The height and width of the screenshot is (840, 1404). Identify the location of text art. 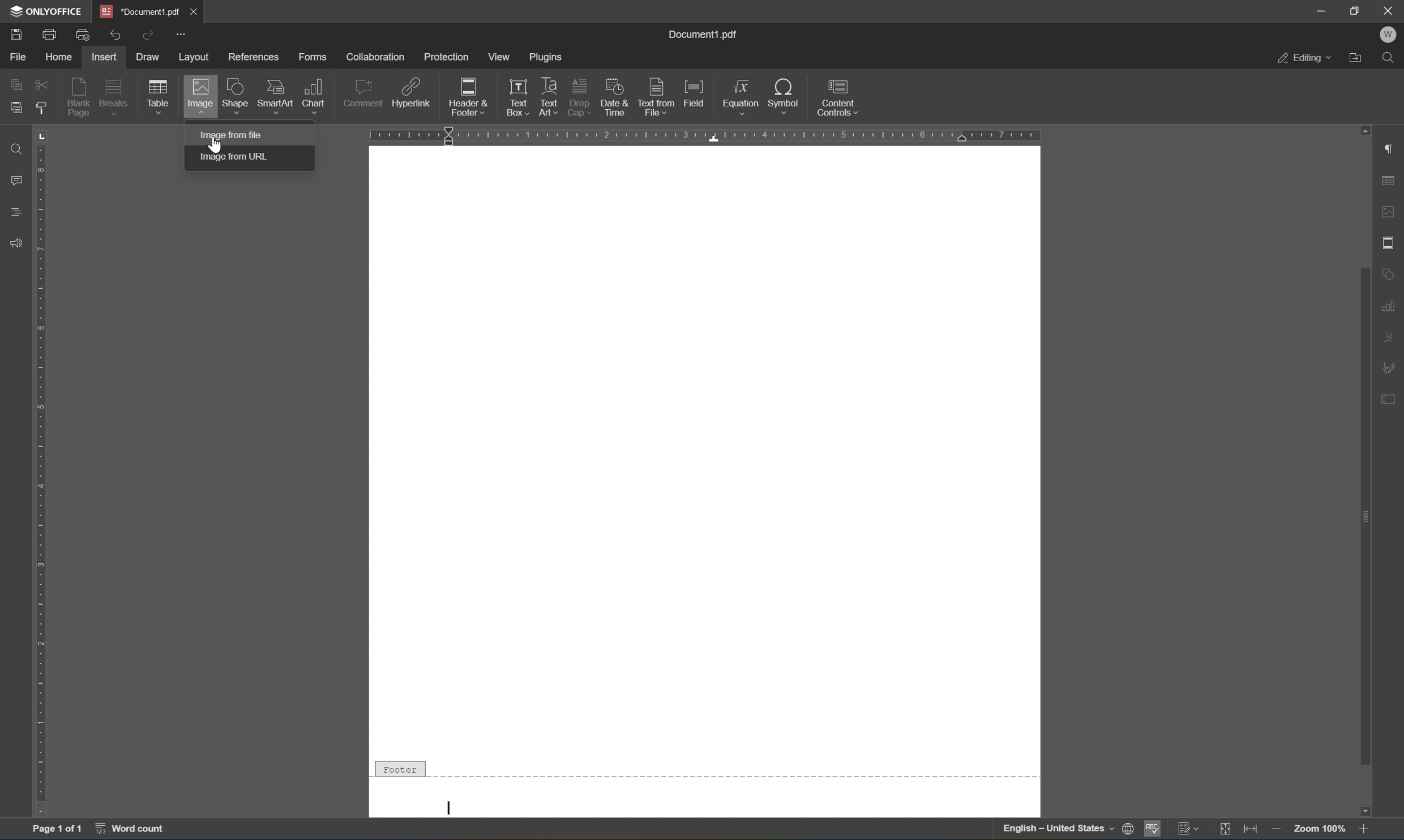
(549, 84).